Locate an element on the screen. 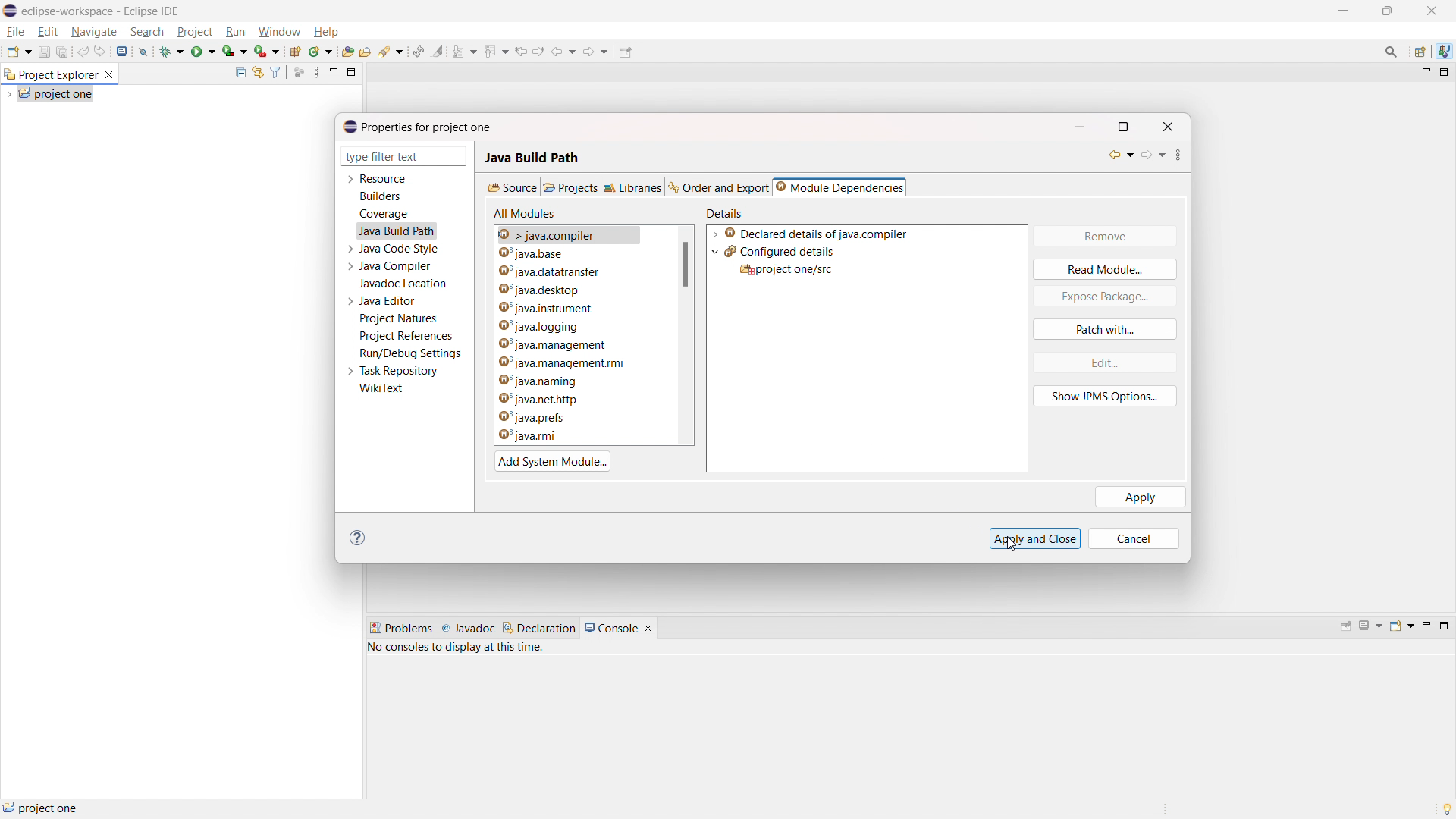 This screenshot has height=819, width=1456. edit is located at coordinates (48, 33).